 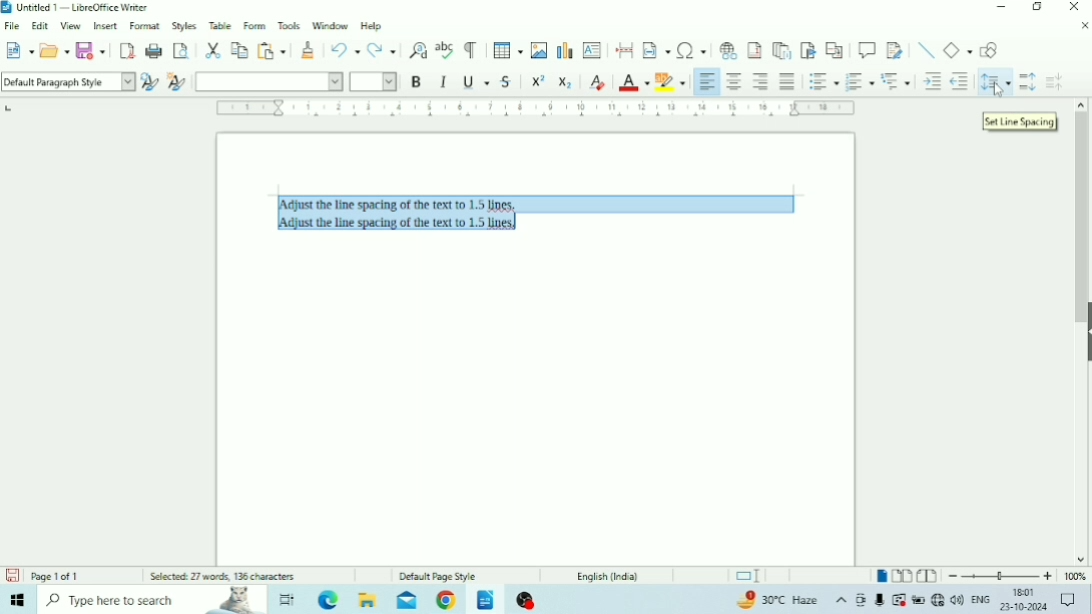 I want to click on Tools, so click(x=291, y=24).